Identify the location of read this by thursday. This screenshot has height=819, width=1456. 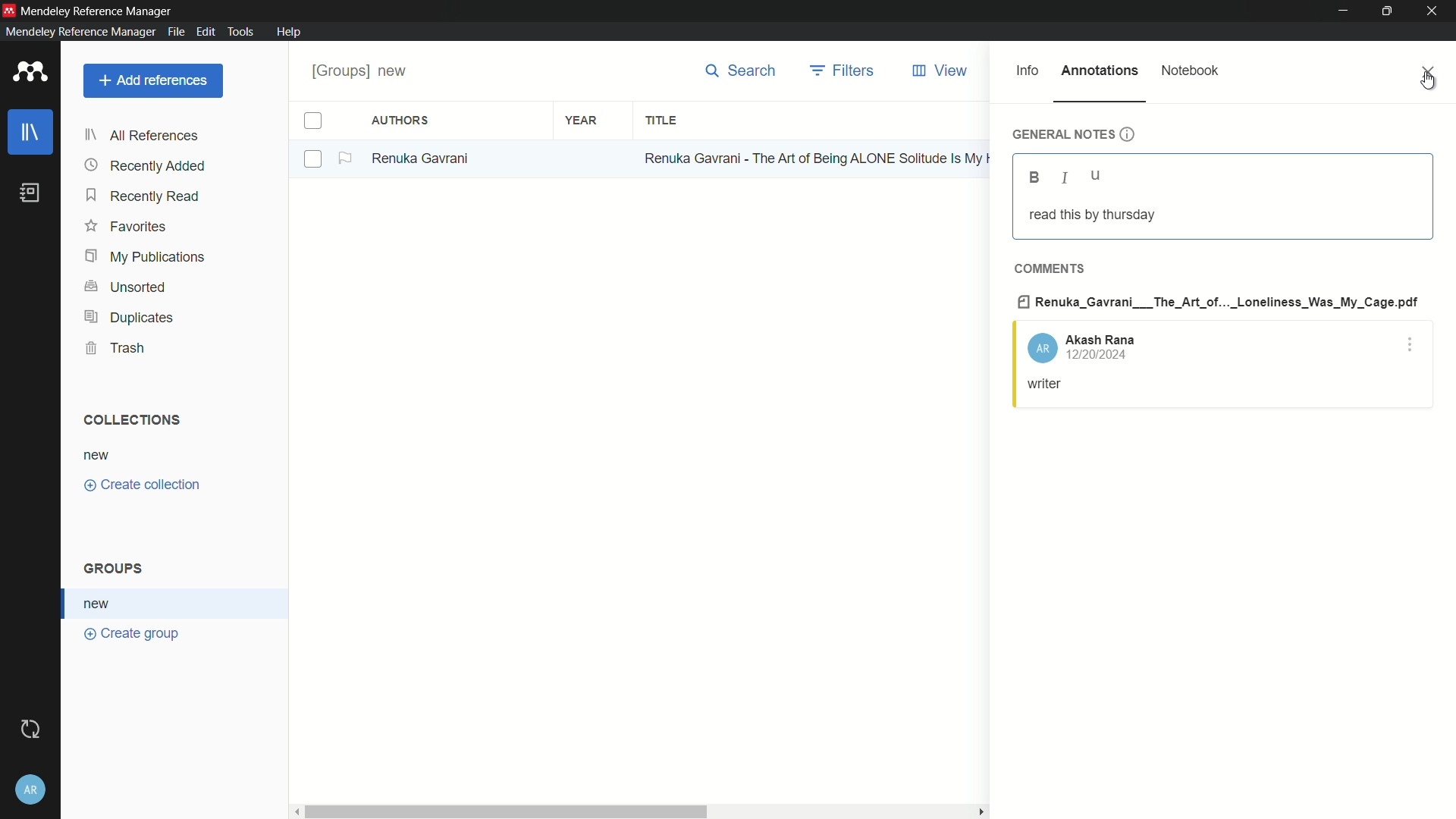
(1091, 215).